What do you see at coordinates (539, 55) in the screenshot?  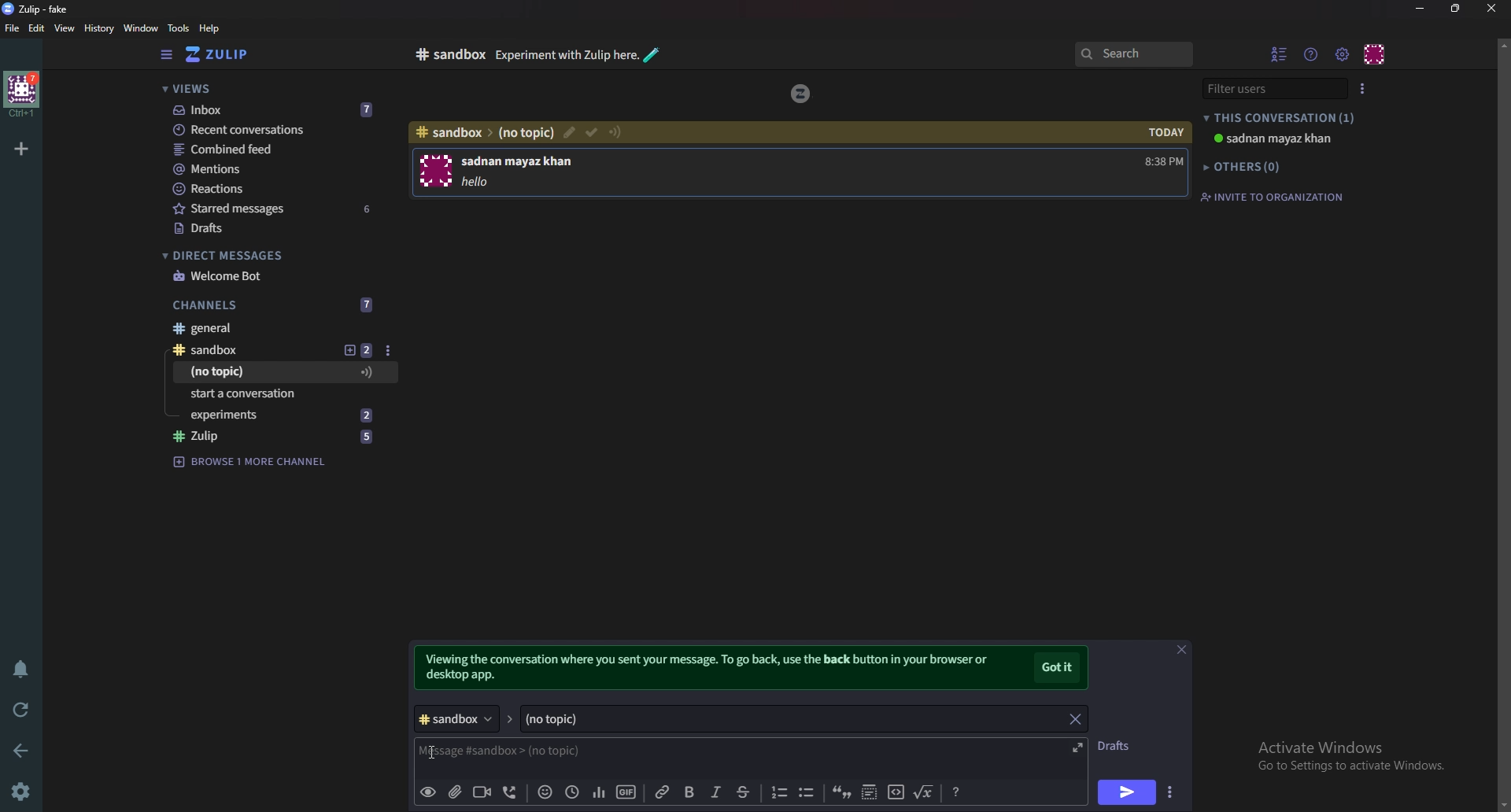 I see `# sandbox Experiment with zulip here` at bounding box center [539, 55].